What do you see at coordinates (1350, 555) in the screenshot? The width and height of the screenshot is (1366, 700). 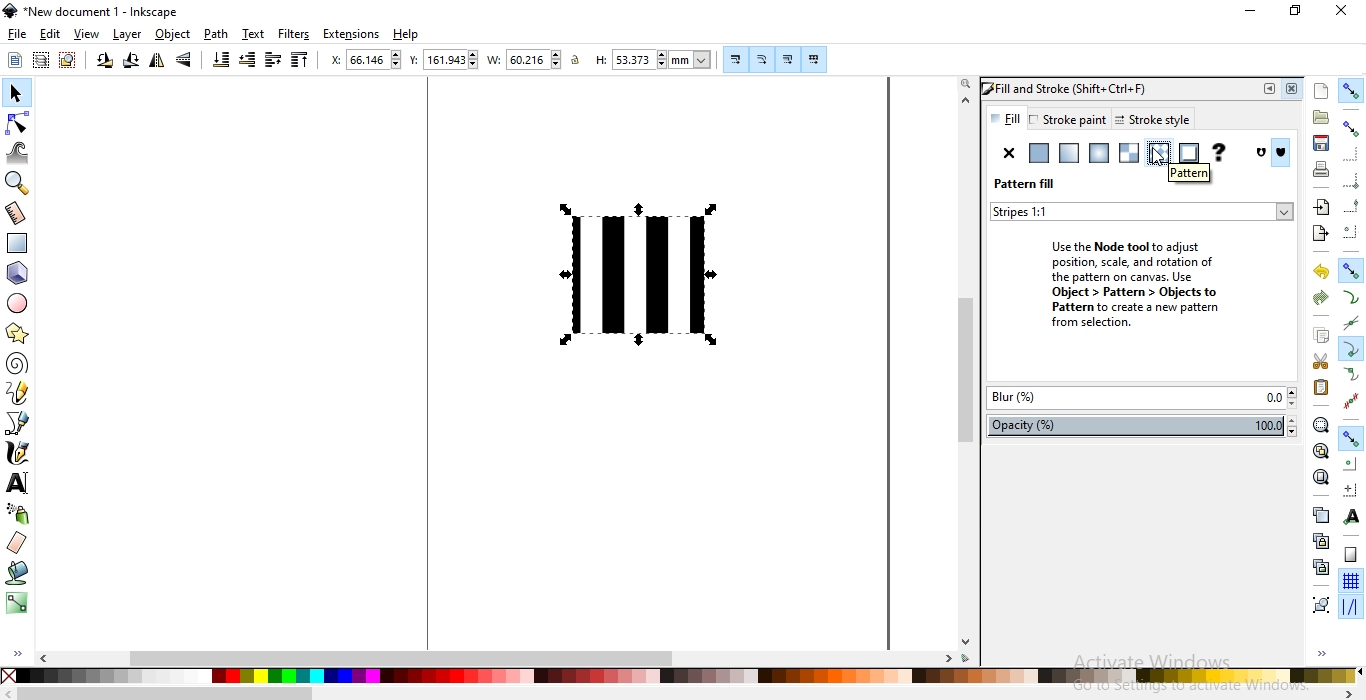 I see `snap to page border` at bounding box center [1350, 555].